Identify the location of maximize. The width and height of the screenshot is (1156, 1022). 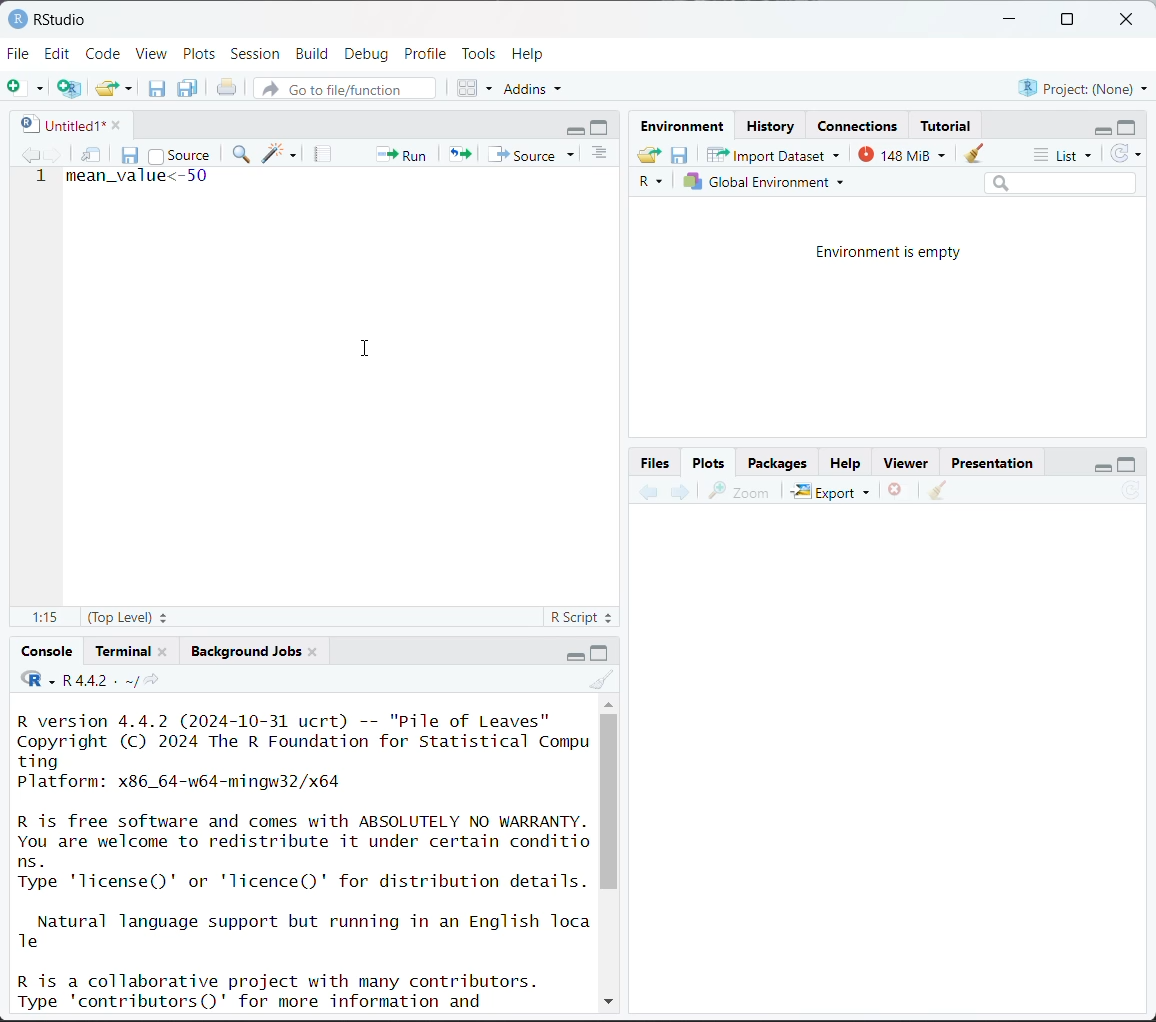
(601, 652).